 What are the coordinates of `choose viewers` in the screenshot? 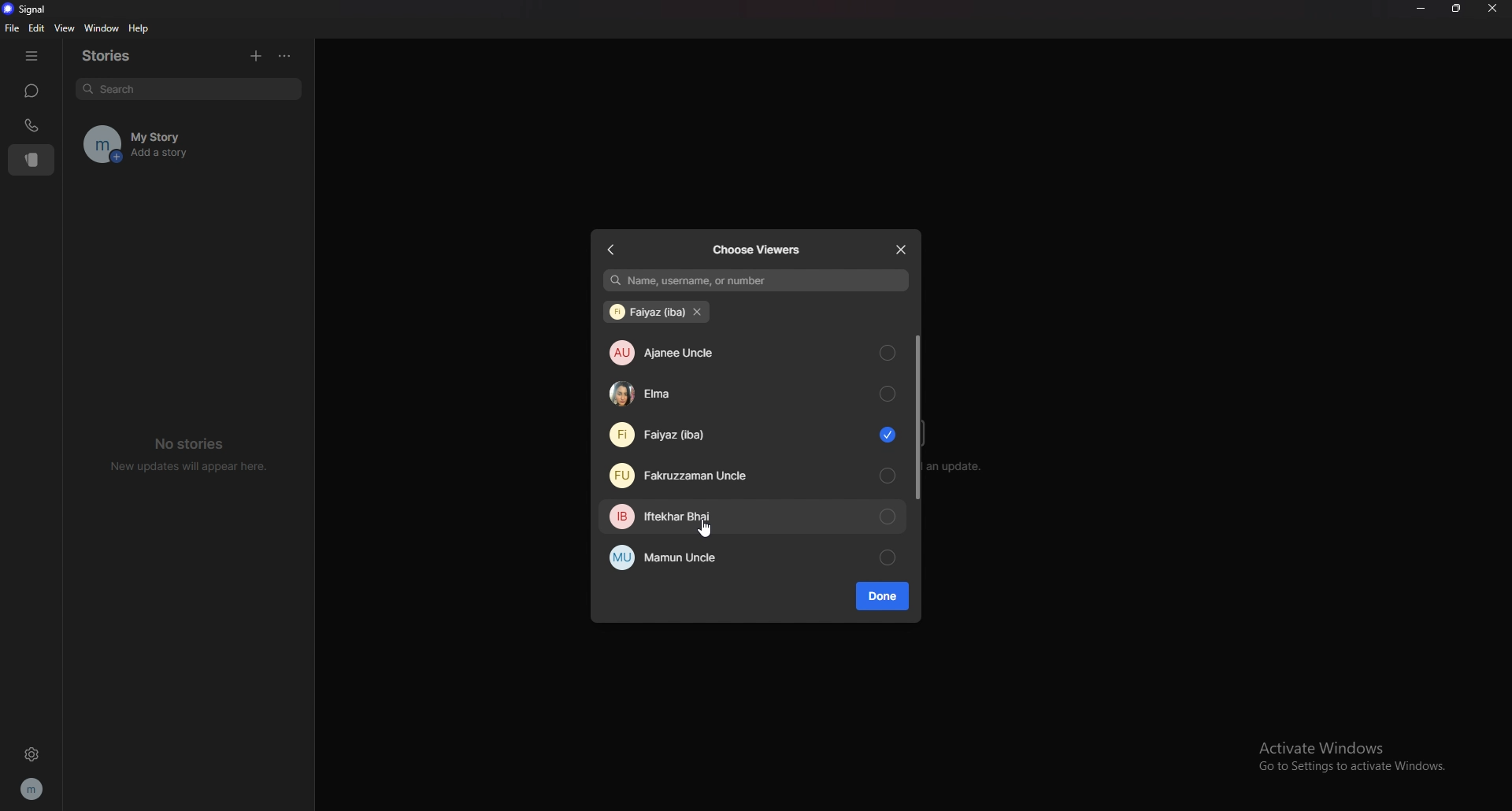 It's located at (760, 249).